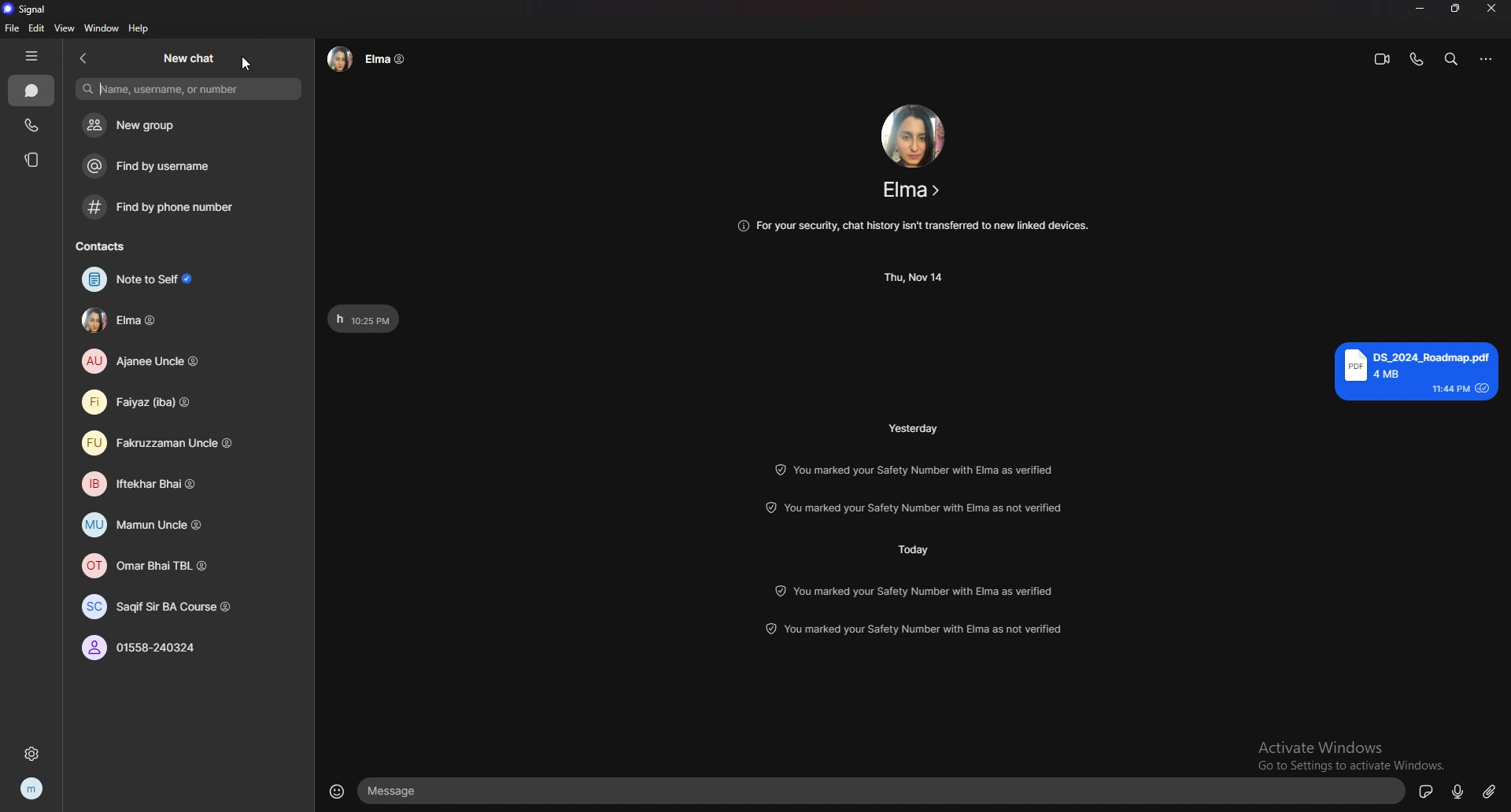 The image size is (1511, 812). I want to click on new chat, so click(189, 57).